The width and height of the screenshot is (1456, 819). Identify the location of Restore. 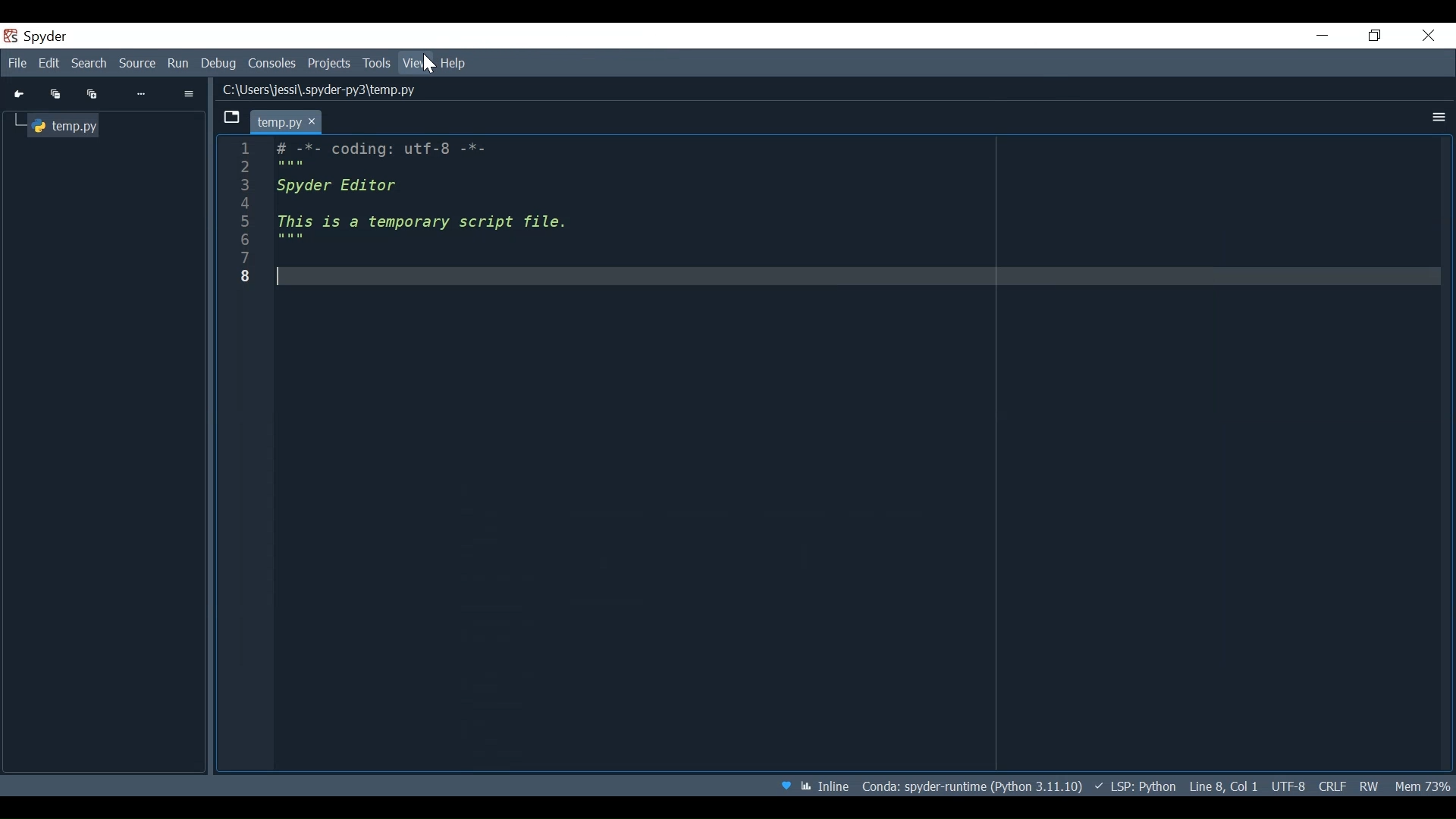
(1373, 37).